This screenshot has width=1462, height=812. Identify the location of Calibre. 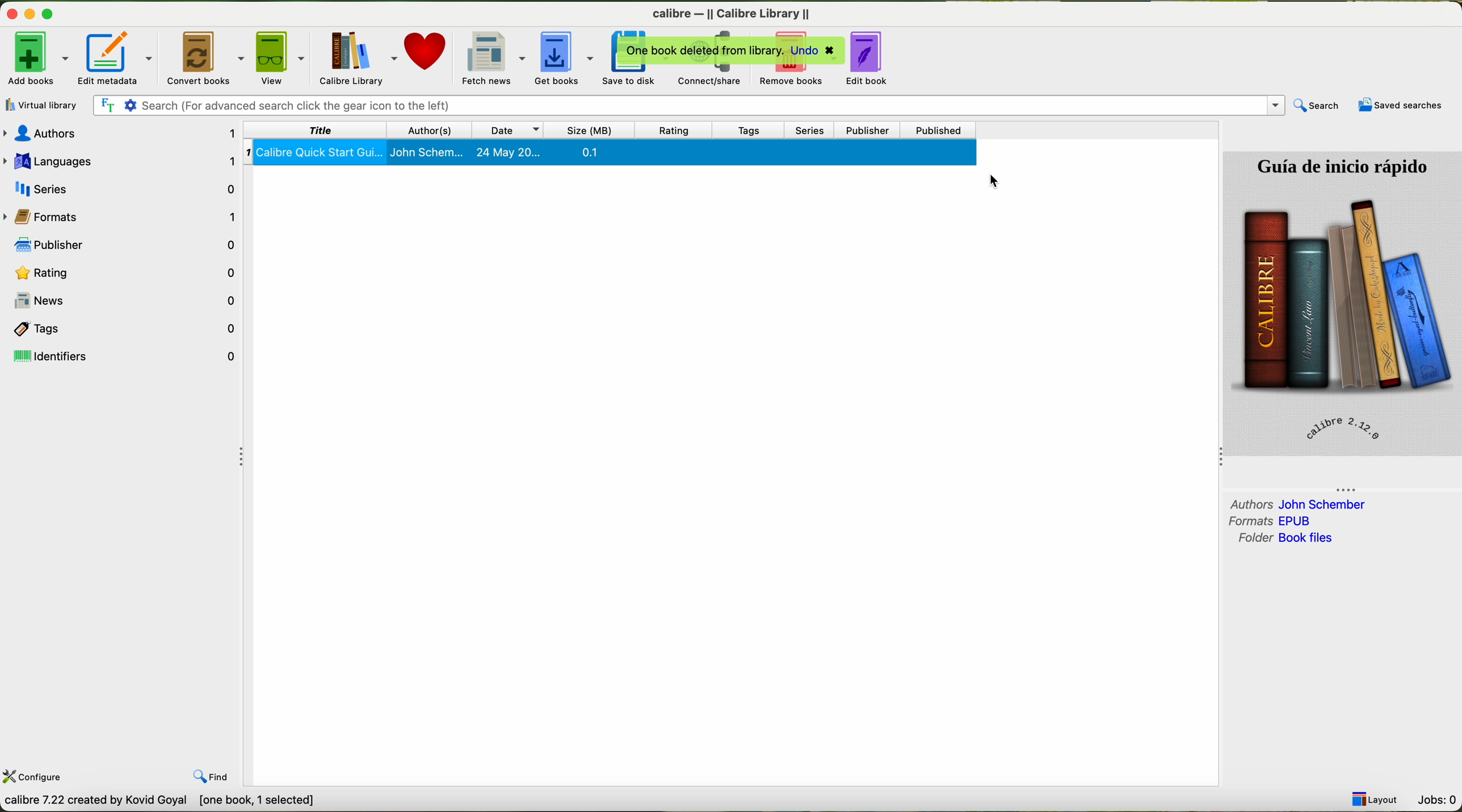
(731, 14).